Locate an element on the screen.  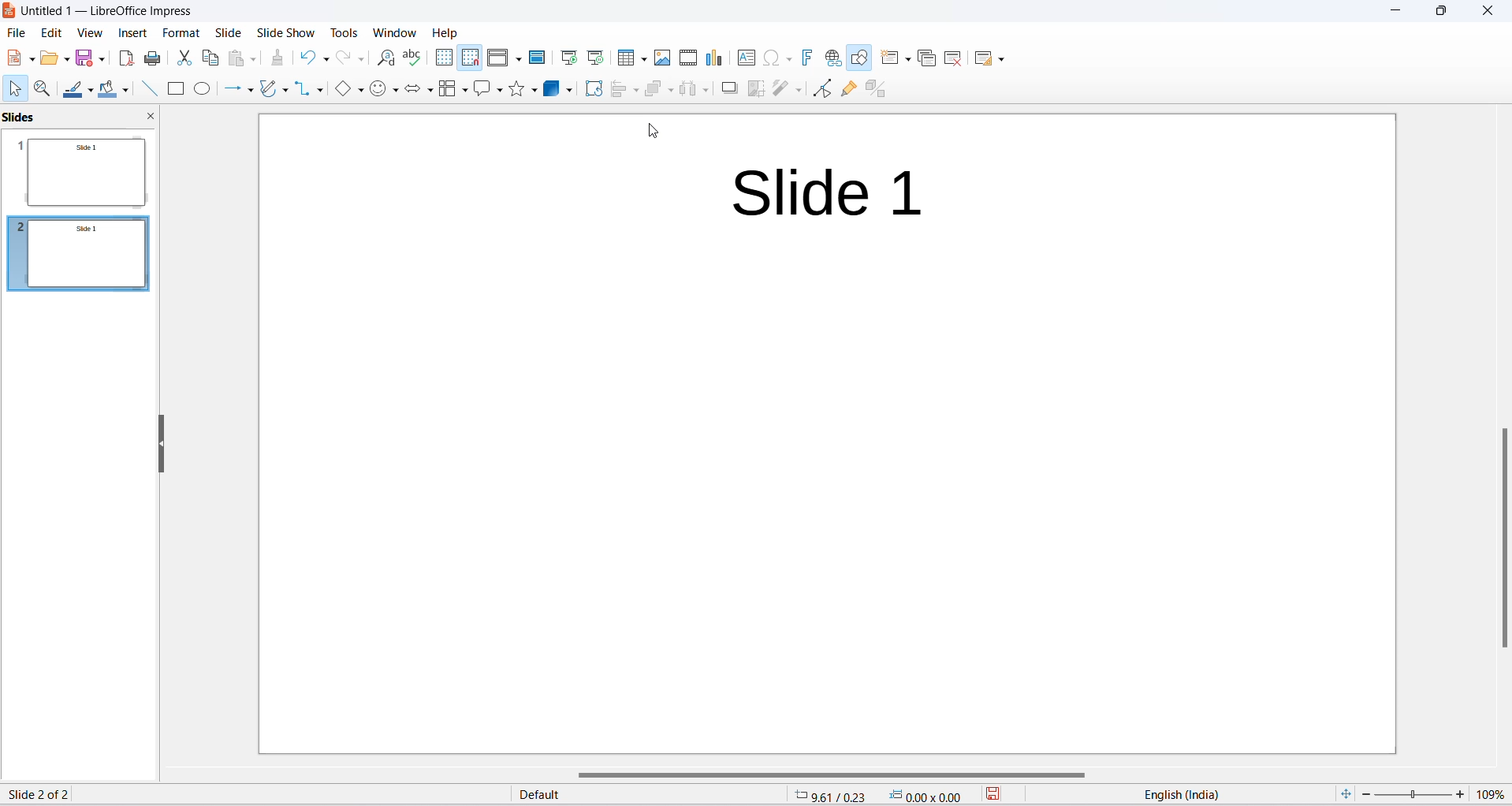
Arrange is located at coordinates (660, 88).